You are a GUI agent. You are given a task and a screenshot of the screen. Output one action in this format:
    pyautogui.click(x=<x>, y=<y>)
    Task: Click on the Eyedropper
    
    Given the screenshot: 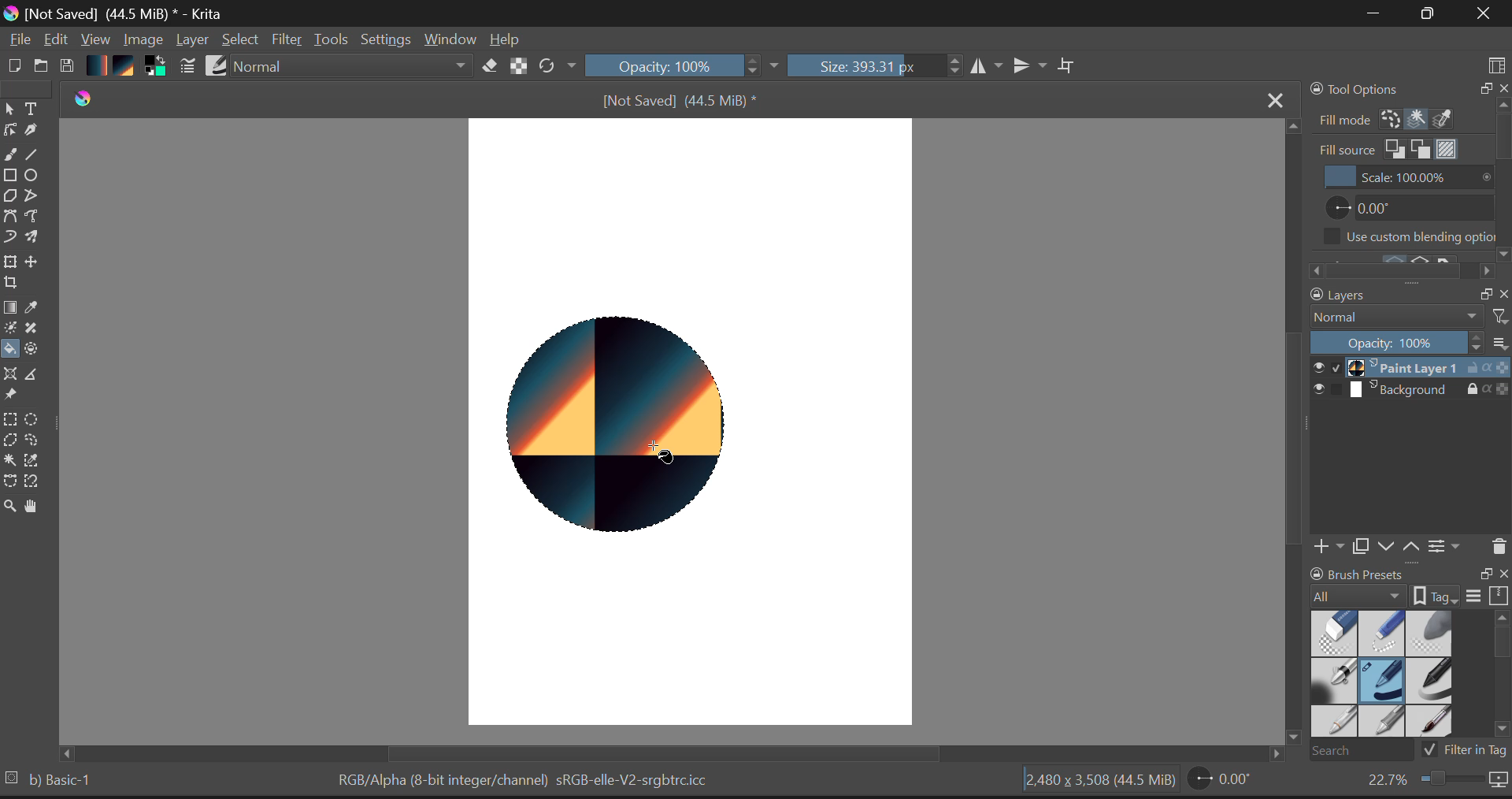 What is the action you would take?
    pyautogui.click(x=35, y=310)
    